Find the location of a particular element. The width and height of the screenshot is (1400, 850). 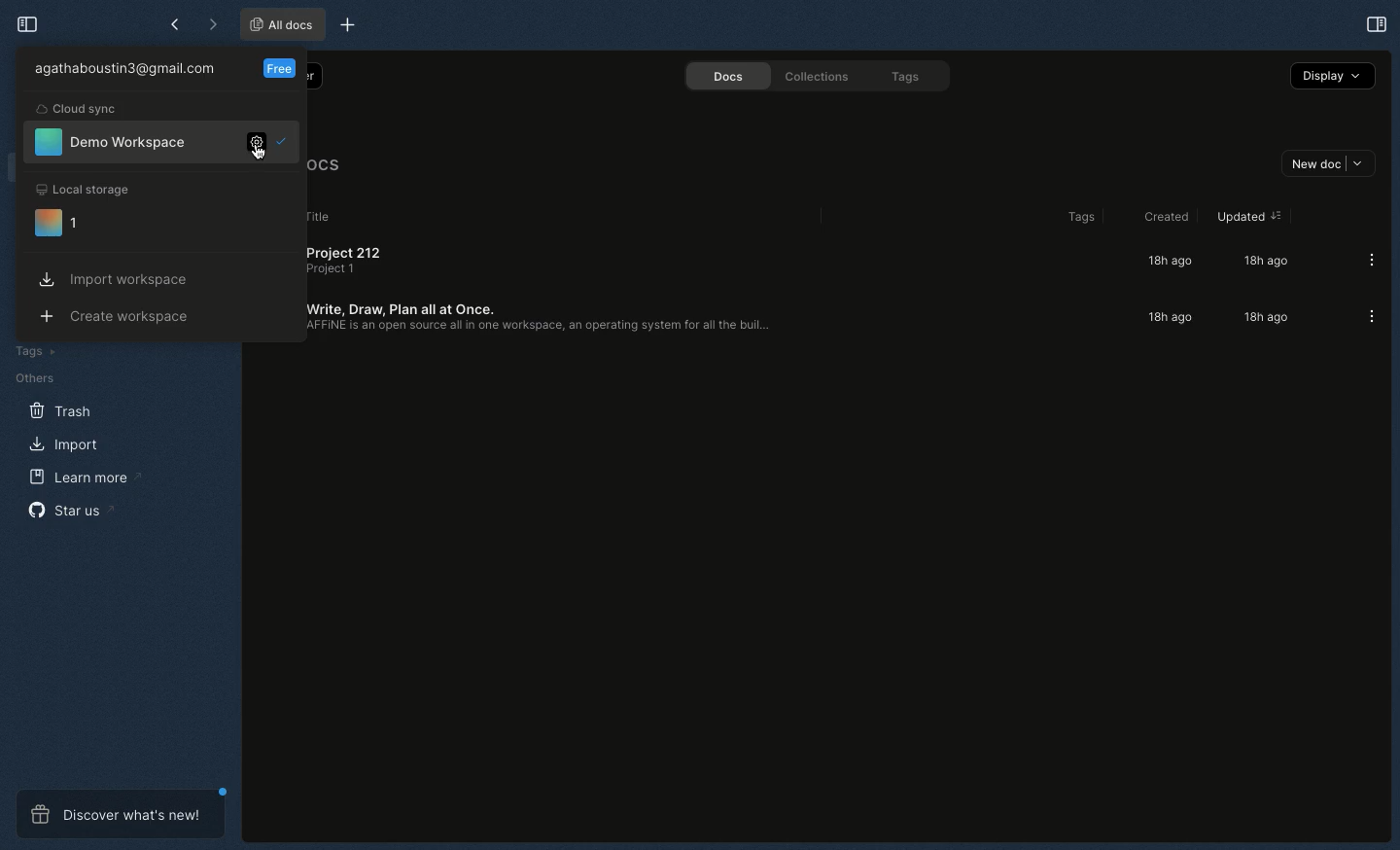

Updated is located at coordinates (1244, 218).